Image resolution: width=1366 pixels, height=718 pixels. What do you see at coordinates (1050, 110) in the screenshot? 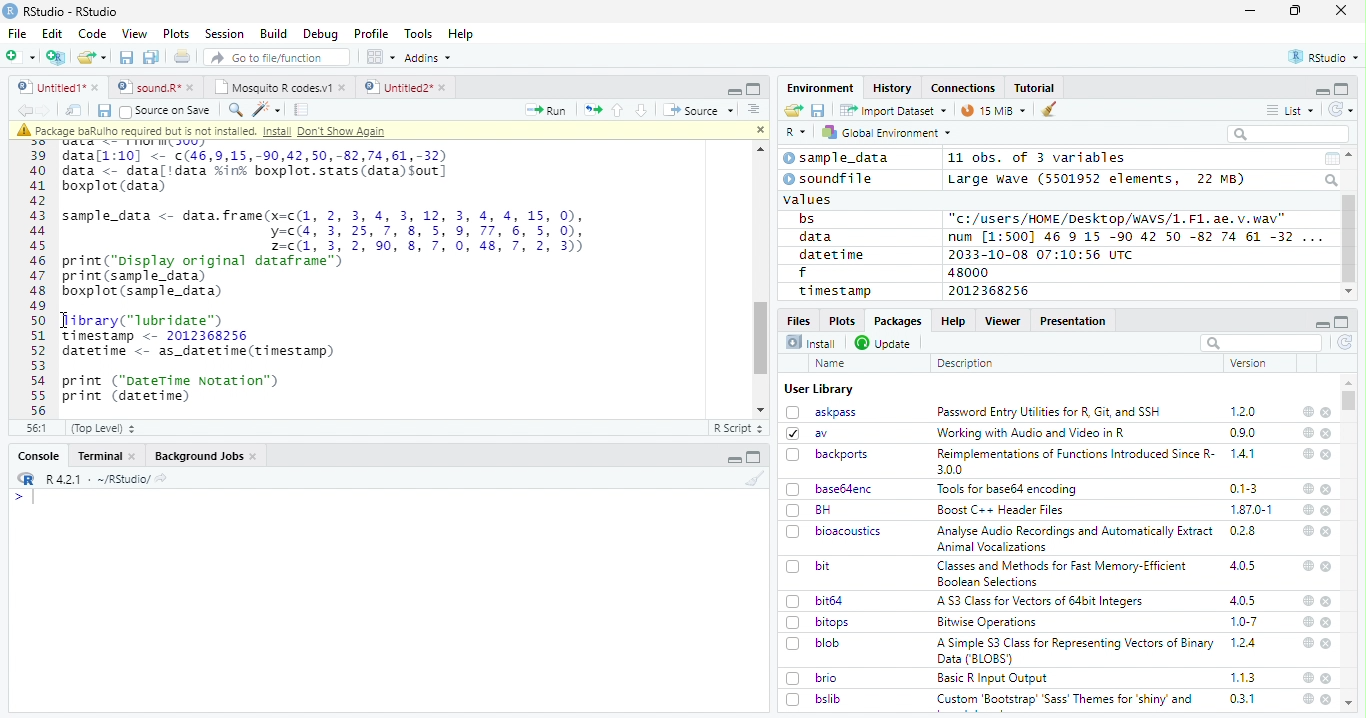
I see `clear workspace` at bounding box center [1050, 110].